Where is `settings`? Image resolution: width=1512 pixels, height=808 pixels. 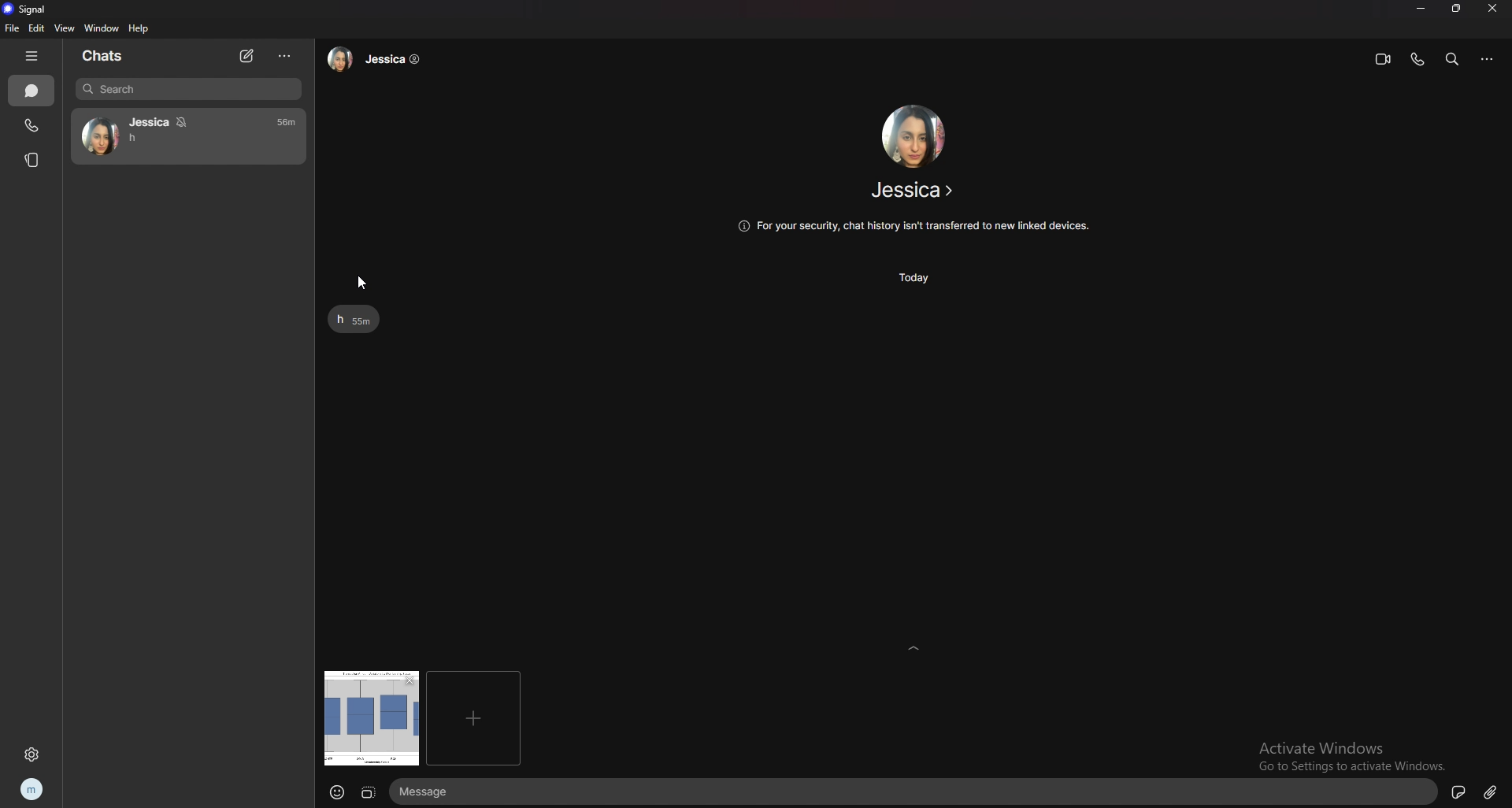 settings is located at coordinates (31, 754).